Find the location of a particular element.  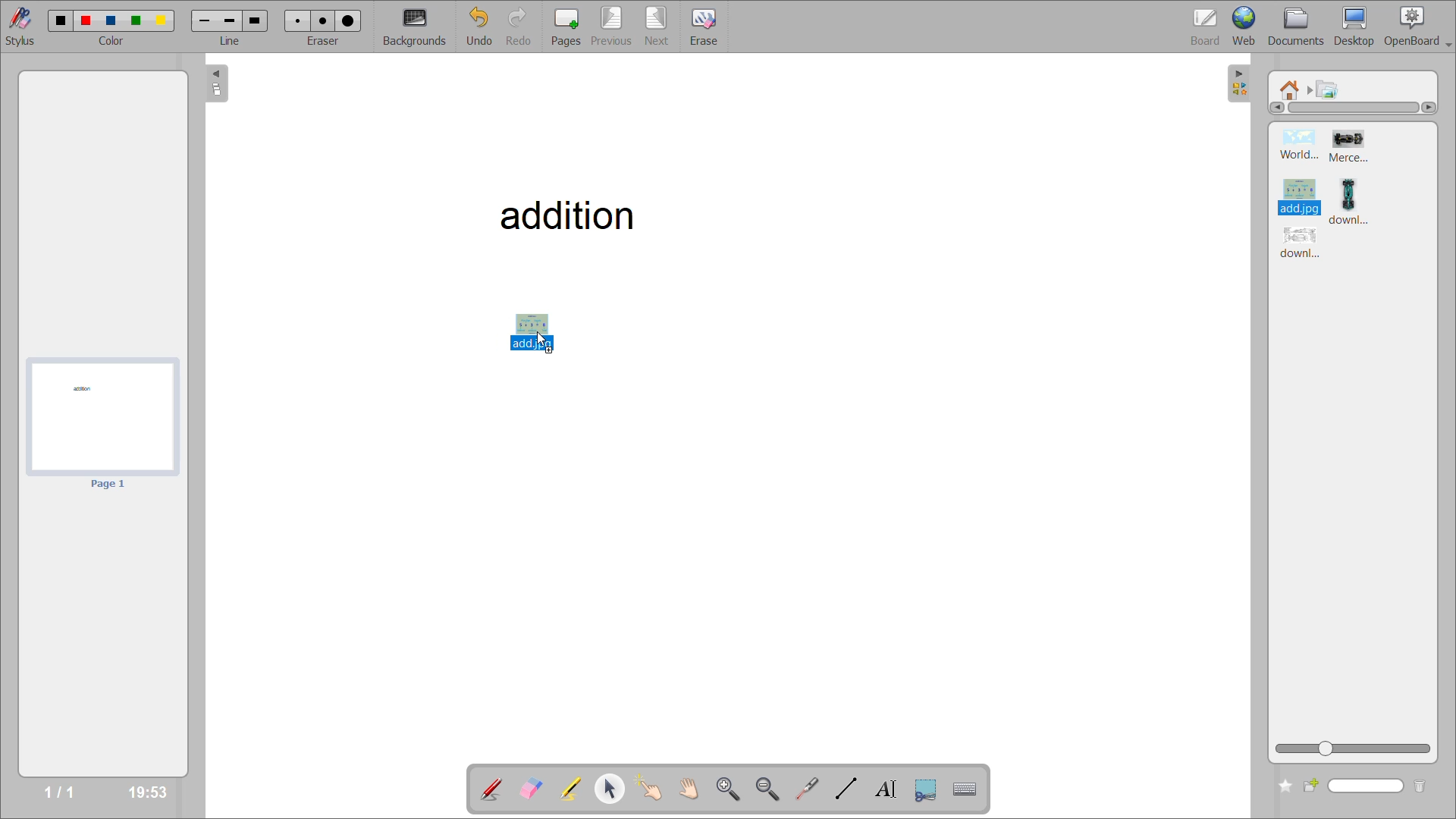

horizontal scroll bar is located at coordinates (1351, 108).